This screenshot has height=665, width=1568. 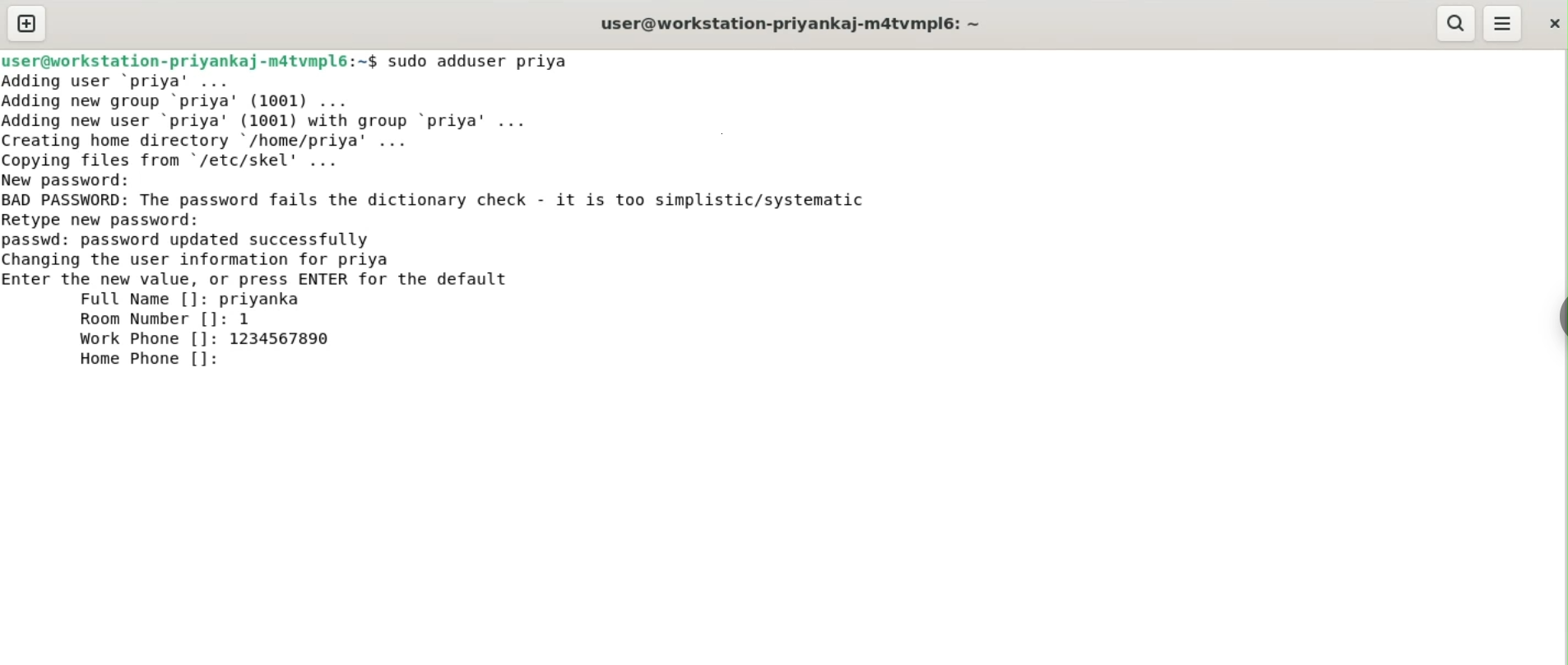 I want to click on BAD PASSWORD: The password fails the dictionary check. it is too simplistic/systematic, so click(x=464, y=201).